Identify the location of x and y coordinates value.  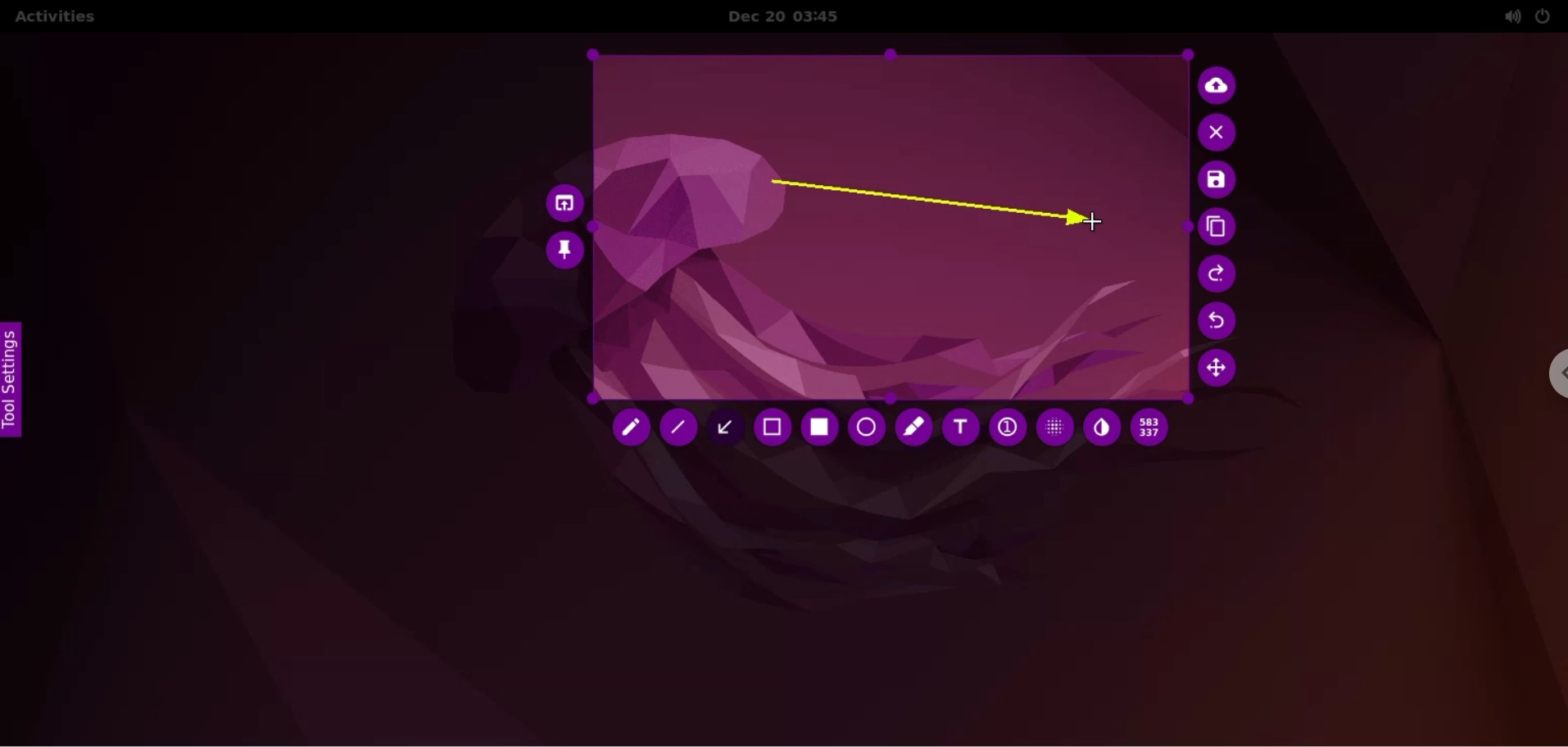
(1155, 428).